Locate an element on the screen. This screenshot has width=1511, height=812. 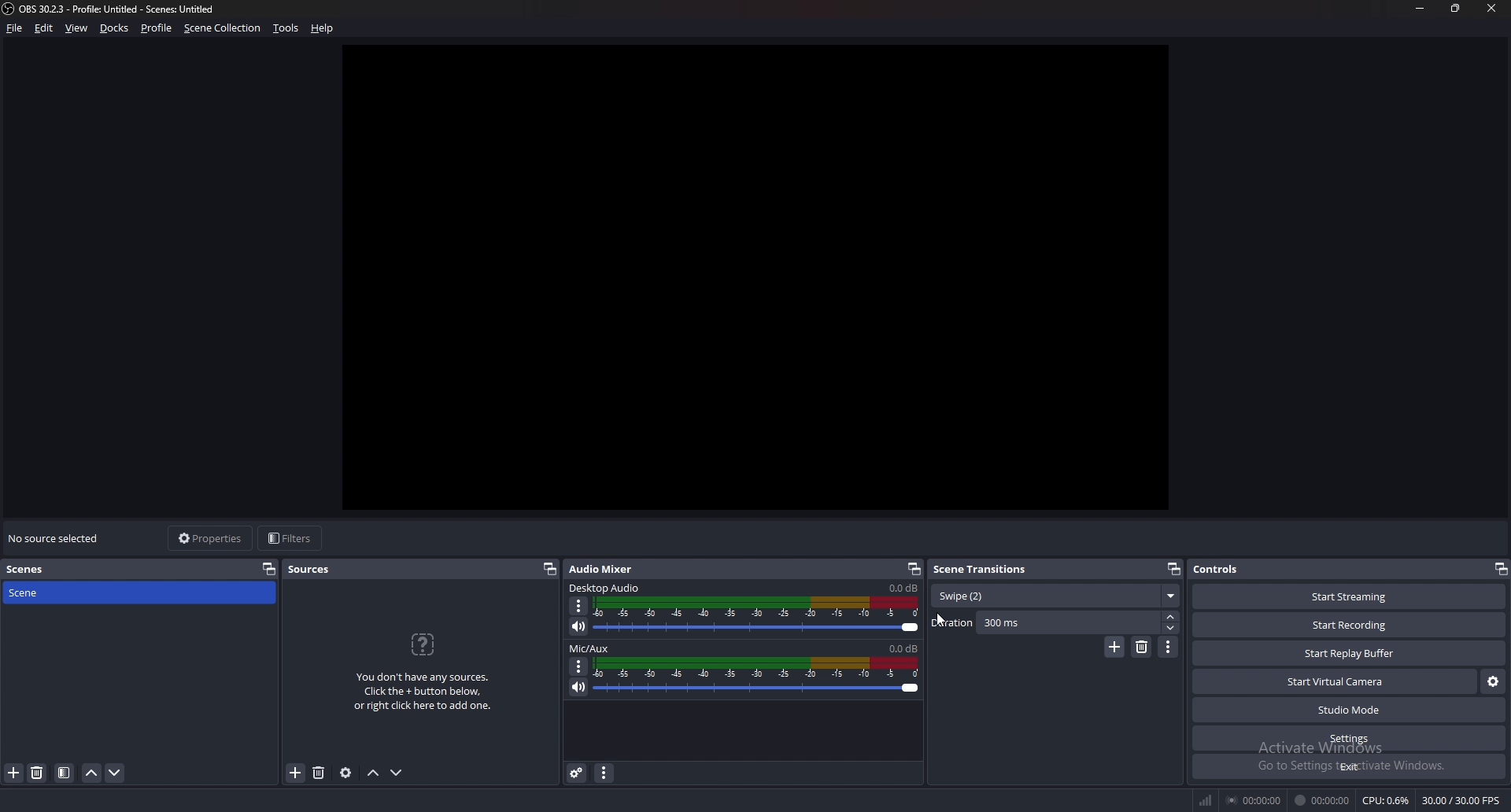
tools is located at coordinates (286, 29).